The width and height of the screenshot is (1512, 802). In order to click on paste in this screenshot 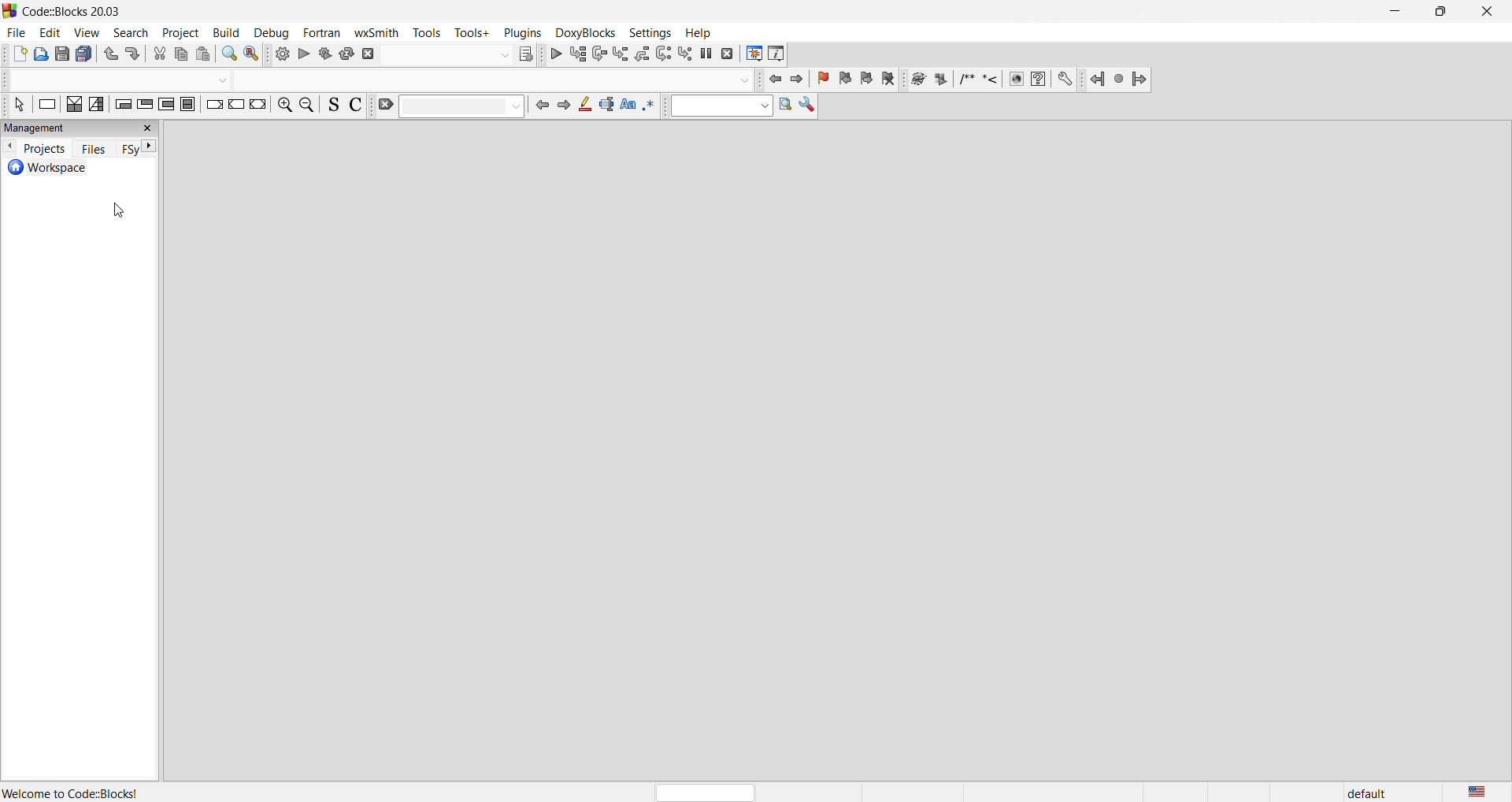, I will do `click(205, 54)`.